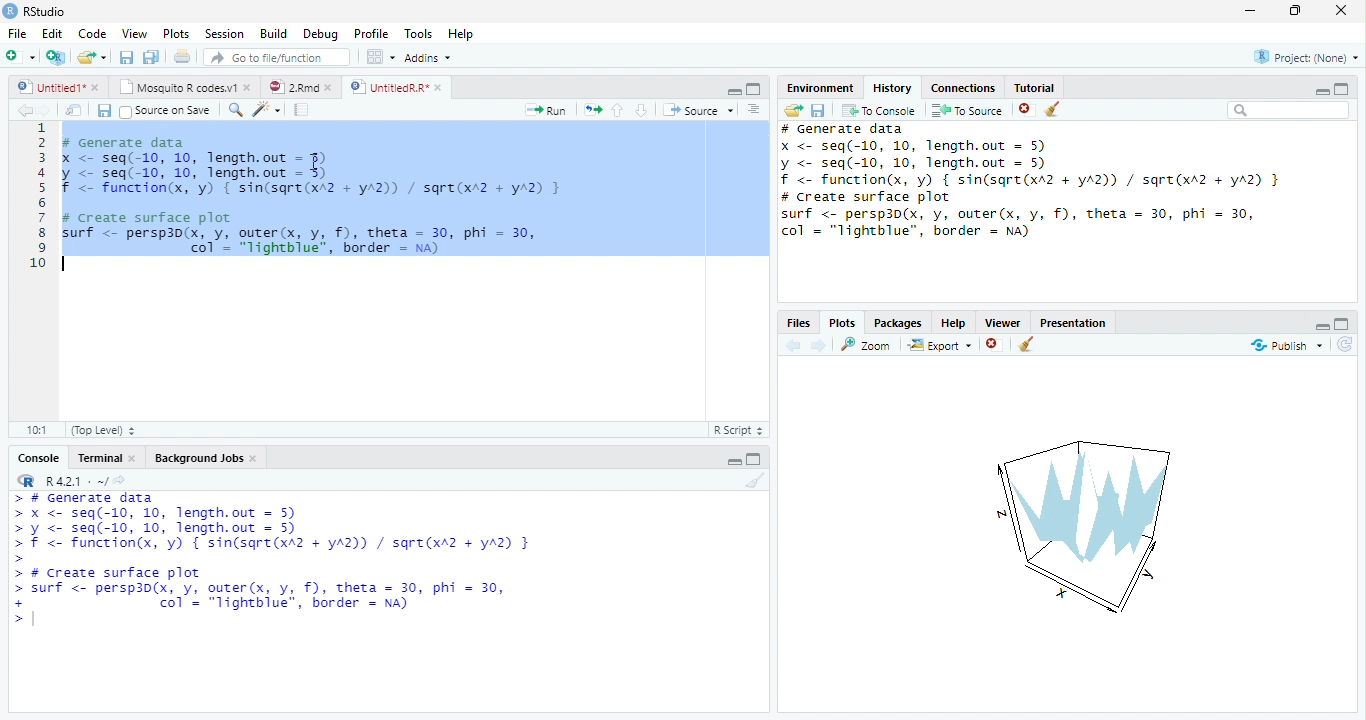  Describe the element at coordinates (819, 345) in the screenshot. I see `Next plot` at that location.